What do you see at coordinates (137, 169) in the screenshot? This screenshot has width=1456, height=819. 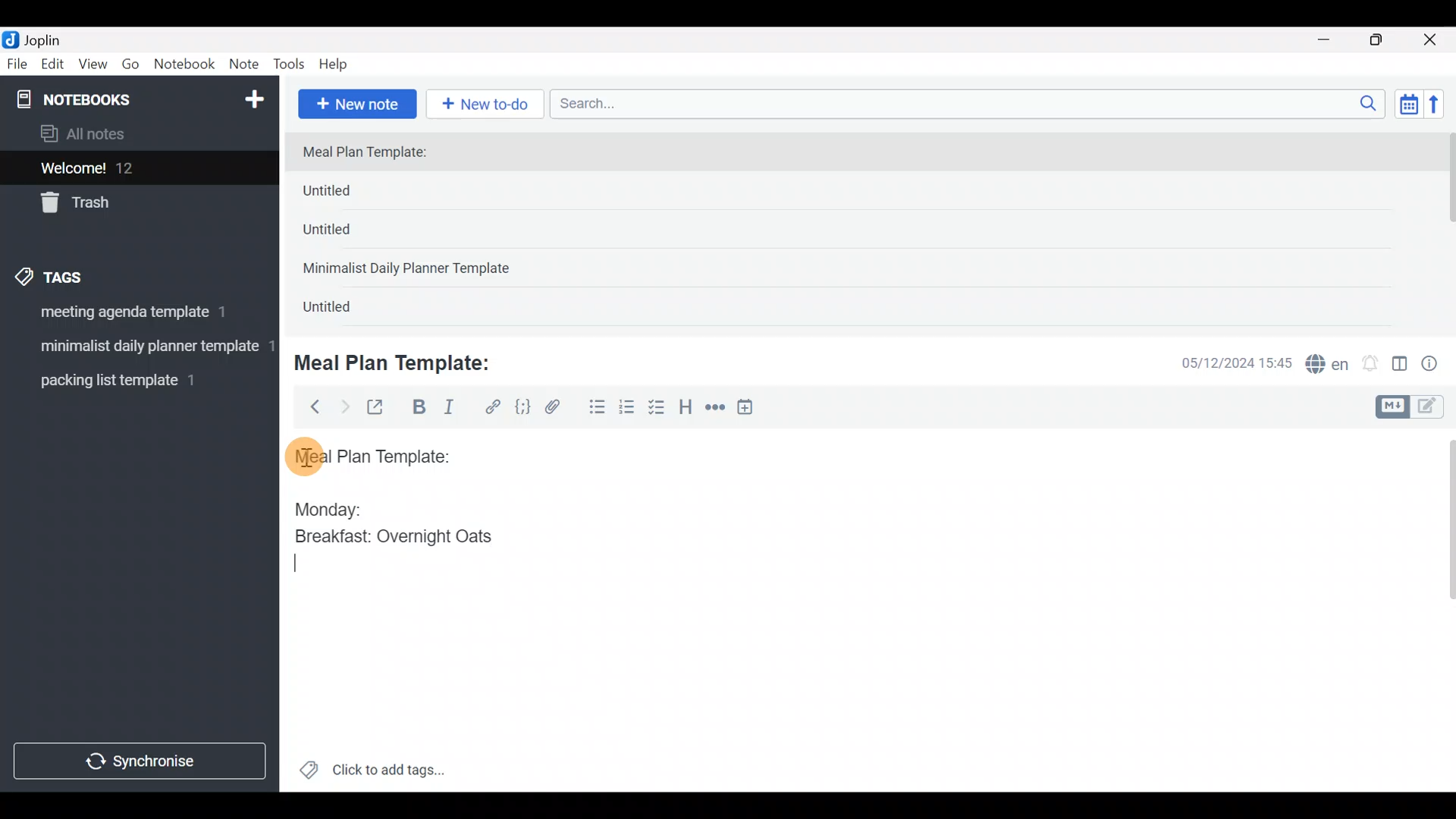 I see `Welcome!` at bounding box center [137, 169].